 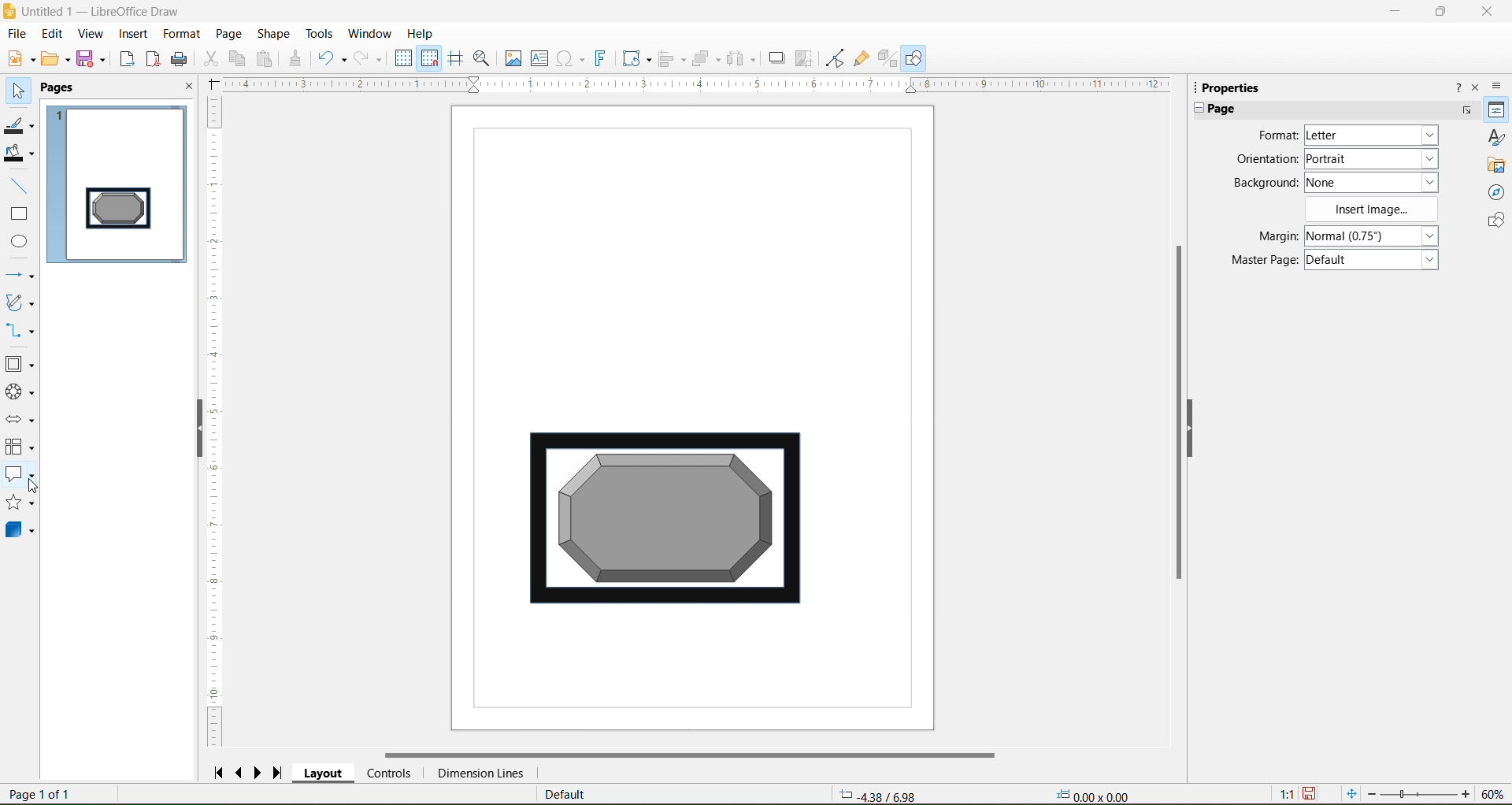 What do you see at coordinates (571, 59) in the screenshot?
I see ` Insert Special Characters` at bounding box center [571, 59].